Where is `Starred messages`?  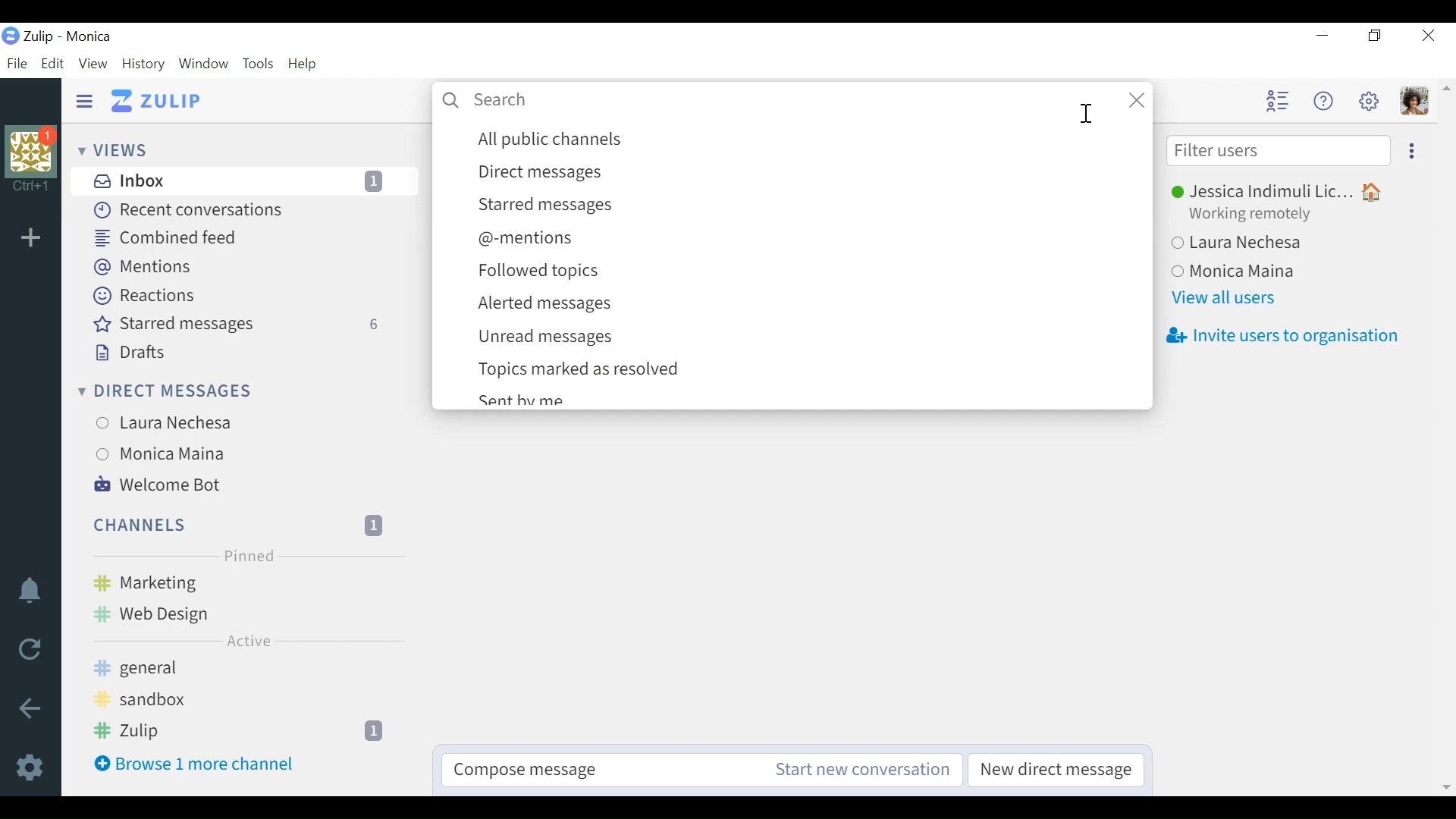 Starred messages is located at coordinates (243, 325).